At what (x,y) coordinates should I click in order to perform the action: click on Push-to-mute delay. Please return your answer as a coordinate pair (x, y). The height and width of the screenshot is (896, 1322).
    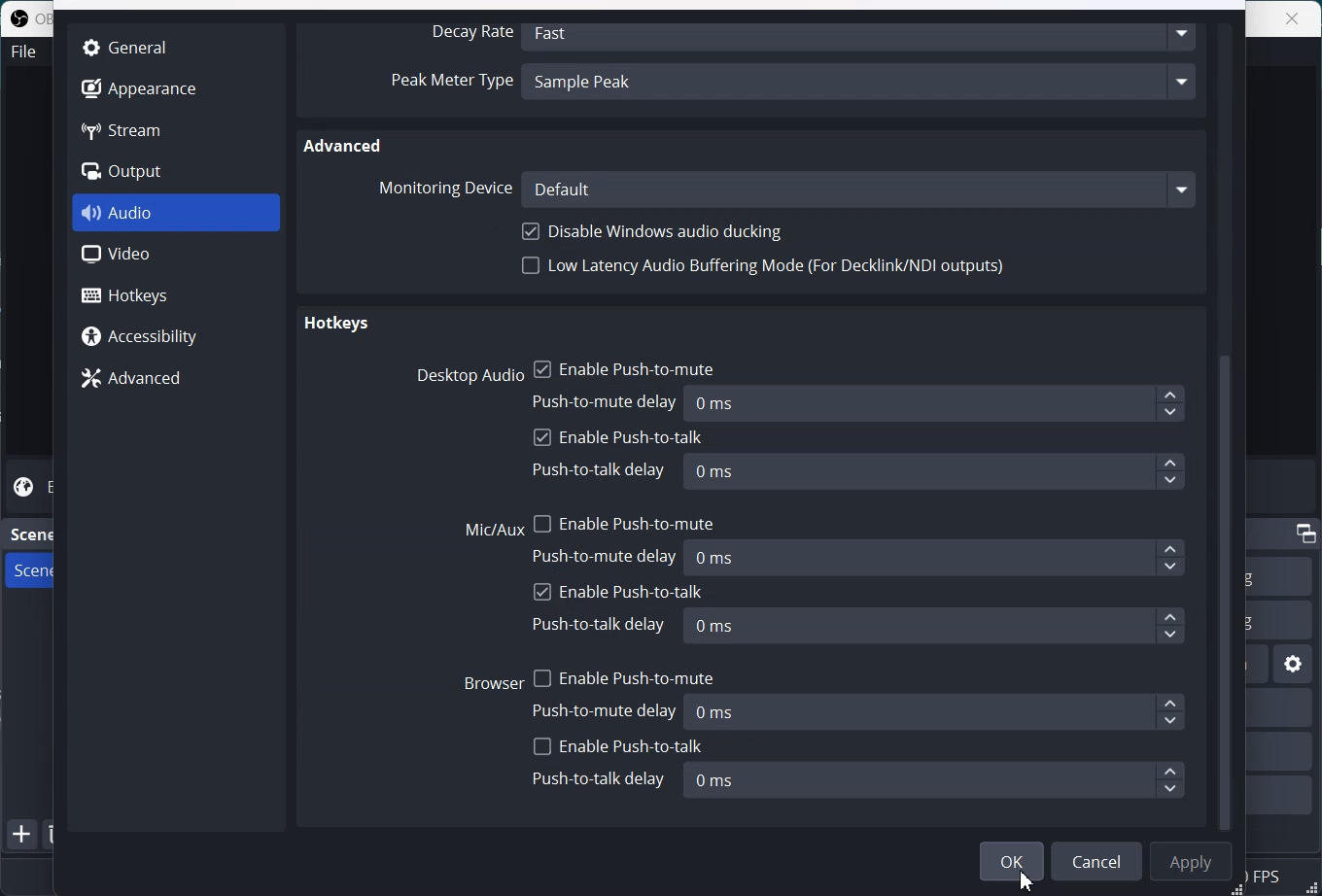
    Looking at the image, I should click on (608, 709).